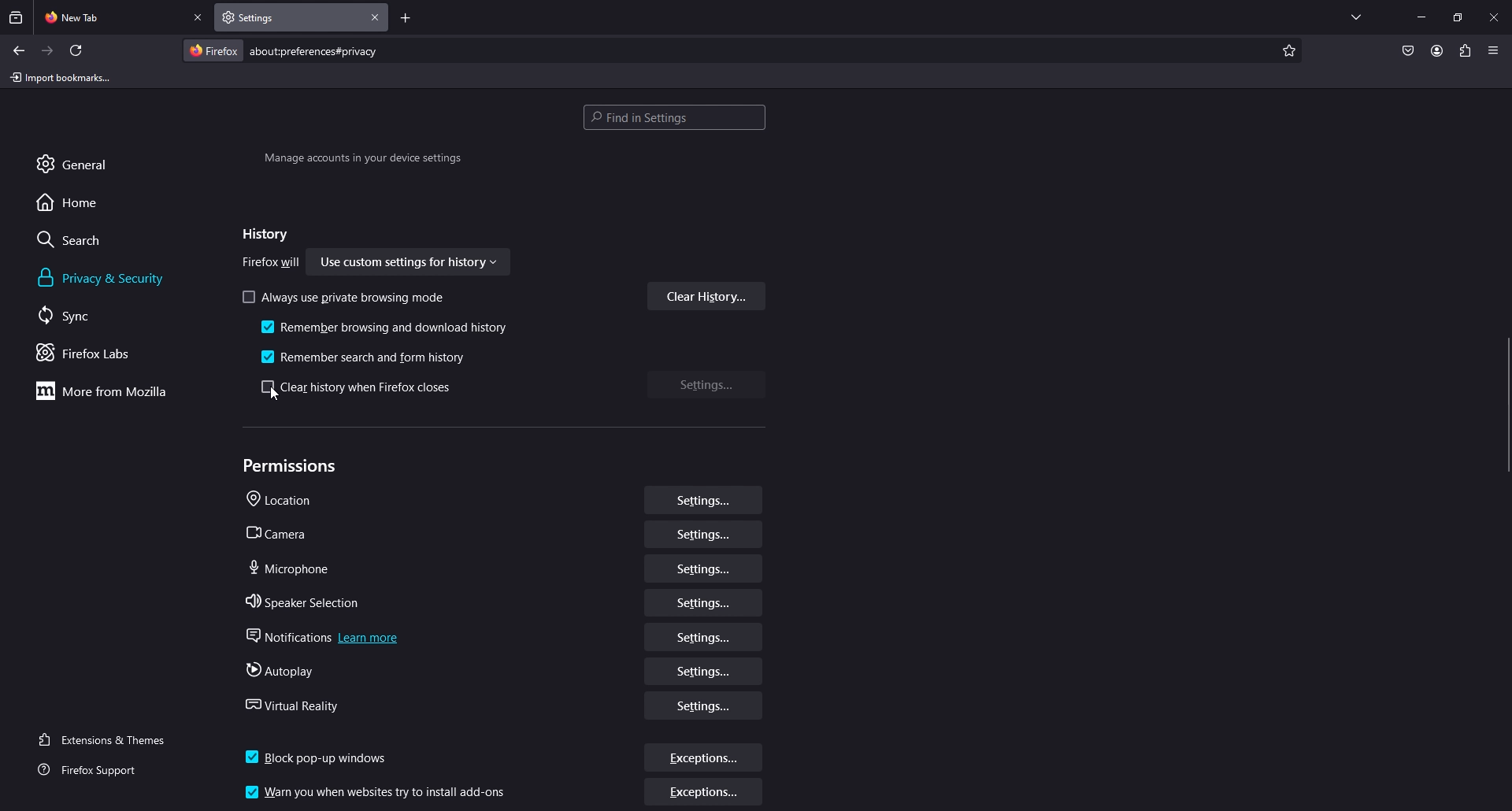  I want to click on refresh, so click(76, 50).